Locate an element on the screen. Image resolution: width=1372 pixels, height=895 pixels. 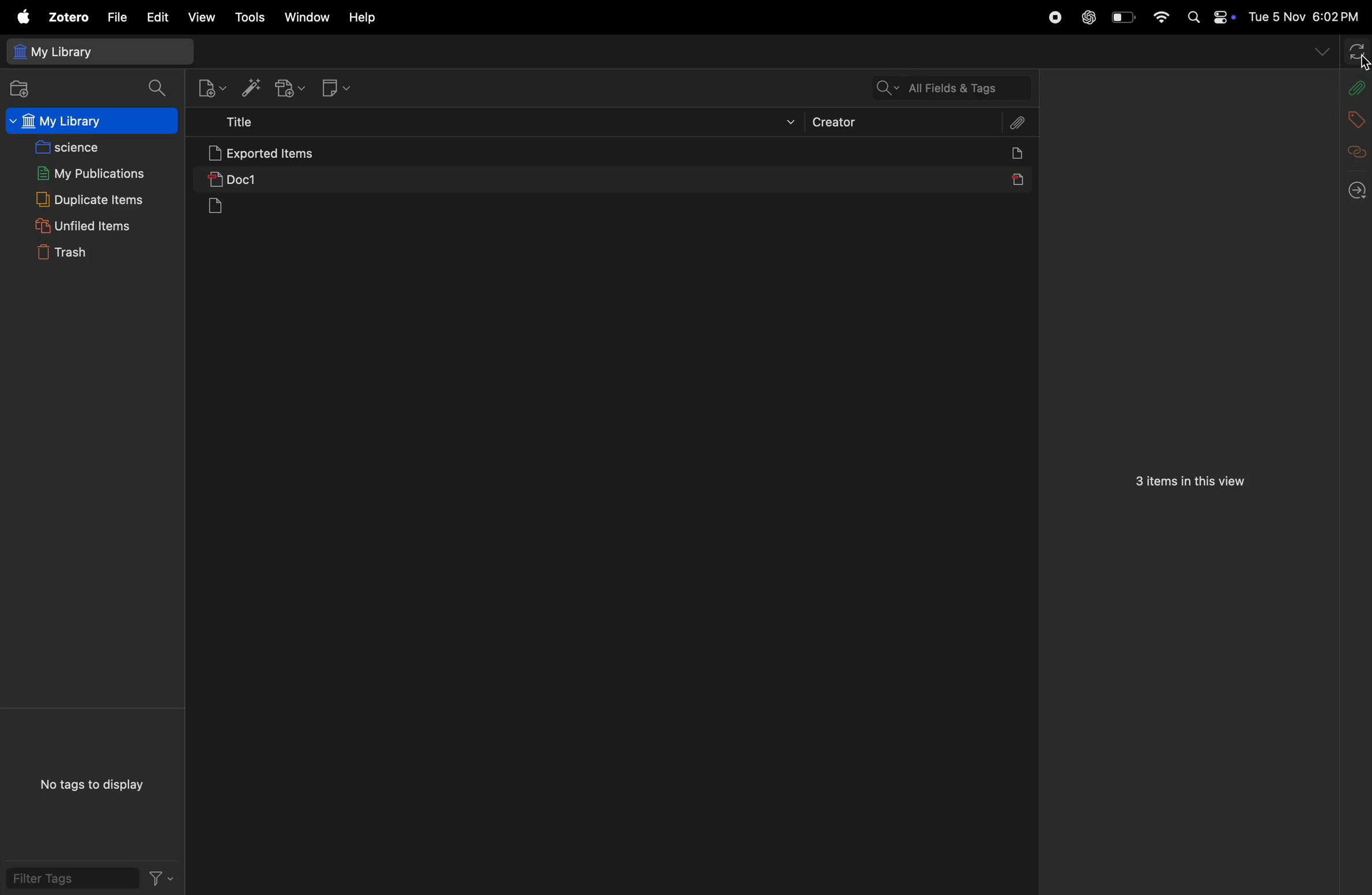
view is located at coordinates (198, 16).